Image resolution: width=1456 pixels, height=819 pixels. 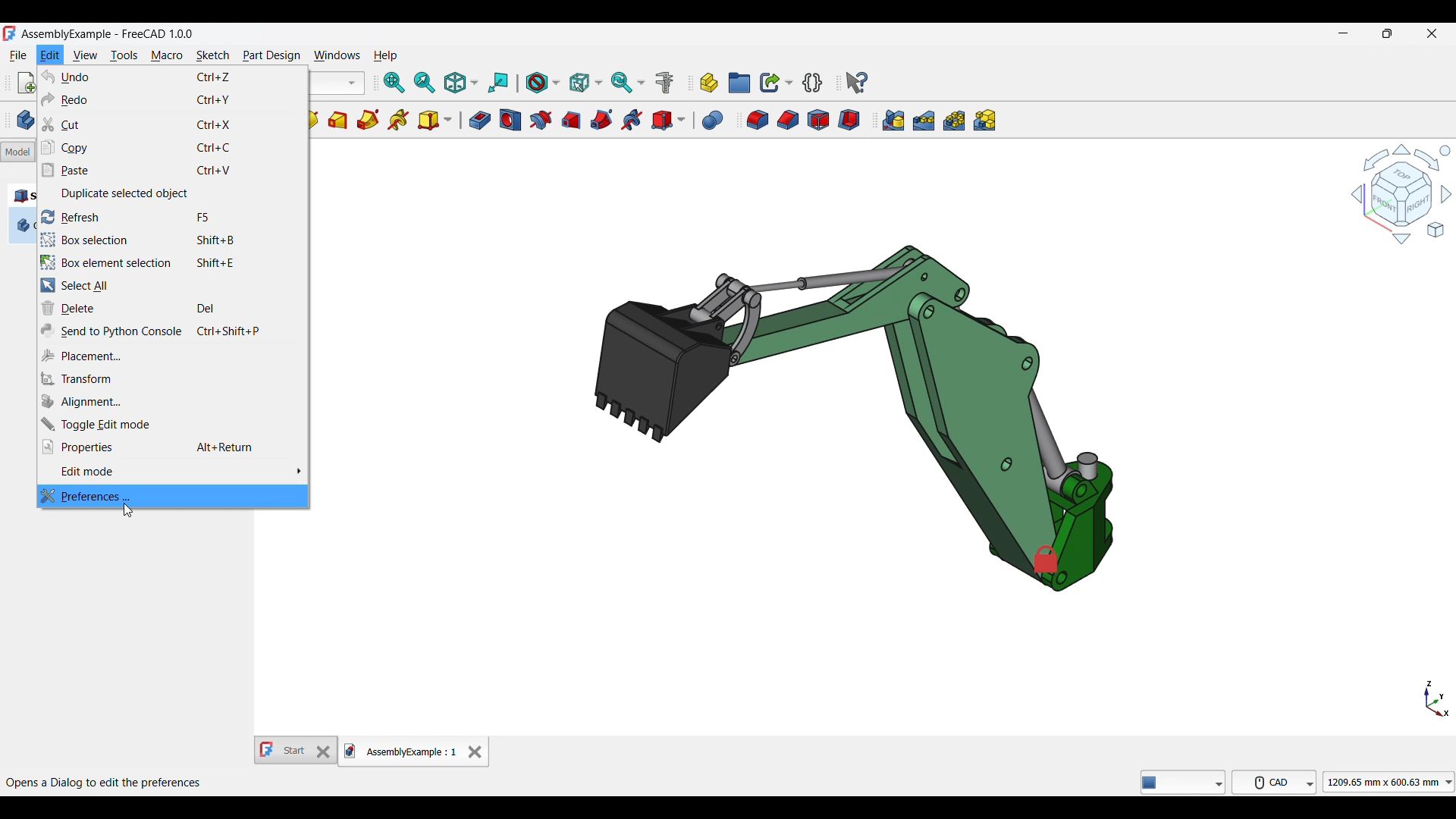 I want to click on Close tab, so click(x=475, y=752).